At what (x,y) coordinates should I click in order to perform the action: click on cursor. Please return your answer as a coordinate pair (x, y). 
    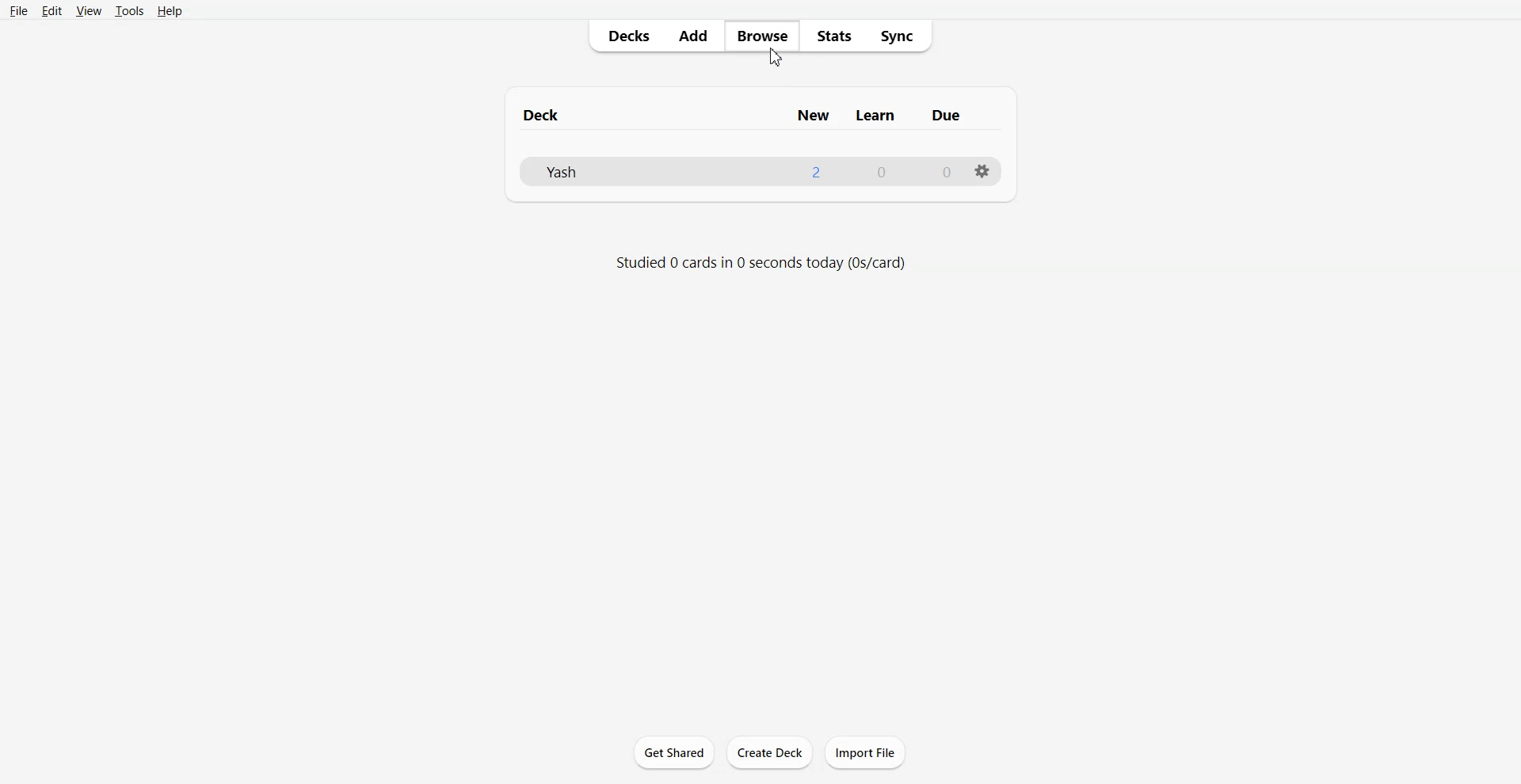
    Looking at the image, I should click on (782, 59).